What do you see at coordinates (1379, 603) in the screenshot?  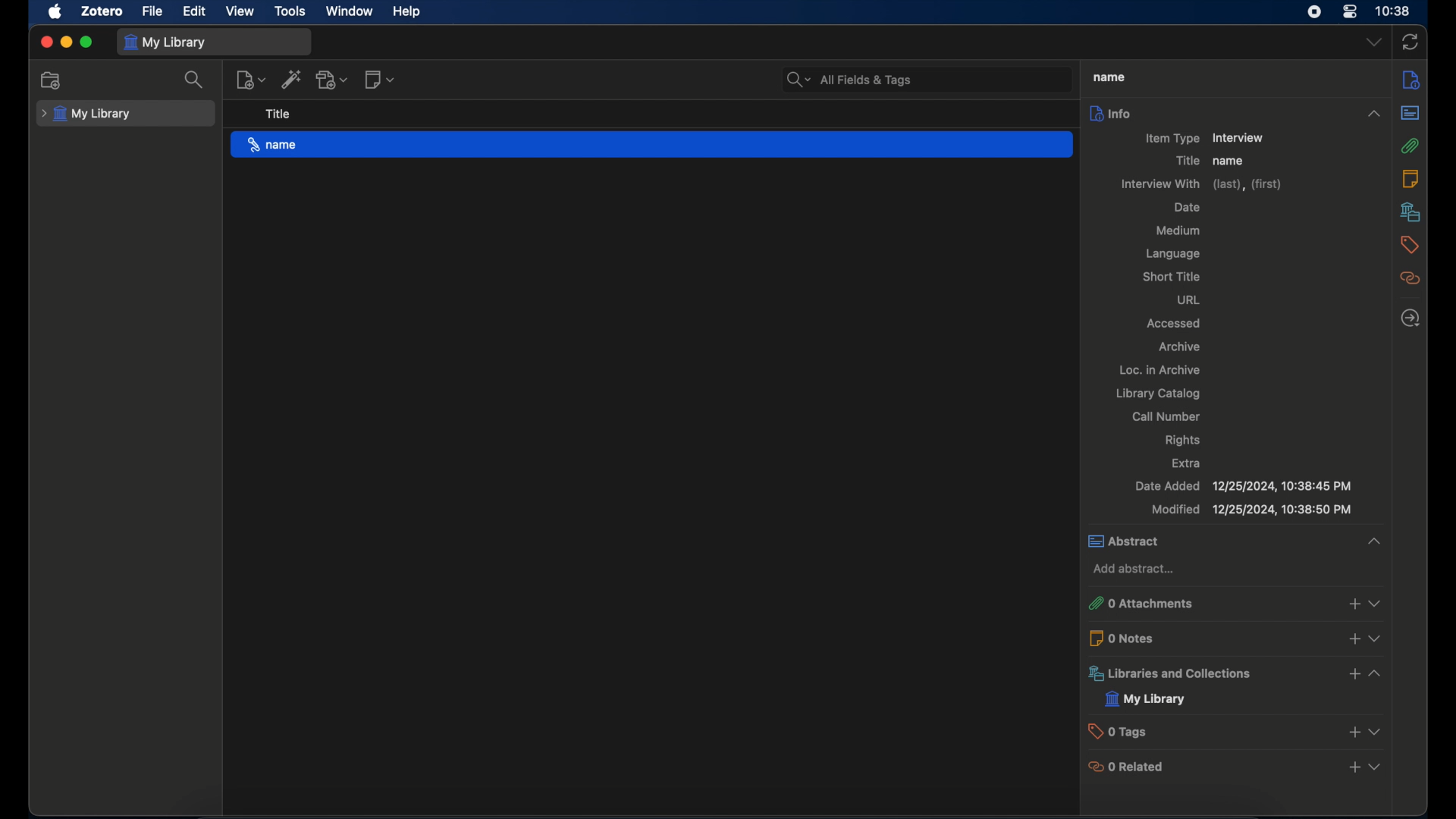 I see `view` at bounding box center [1379, 603].